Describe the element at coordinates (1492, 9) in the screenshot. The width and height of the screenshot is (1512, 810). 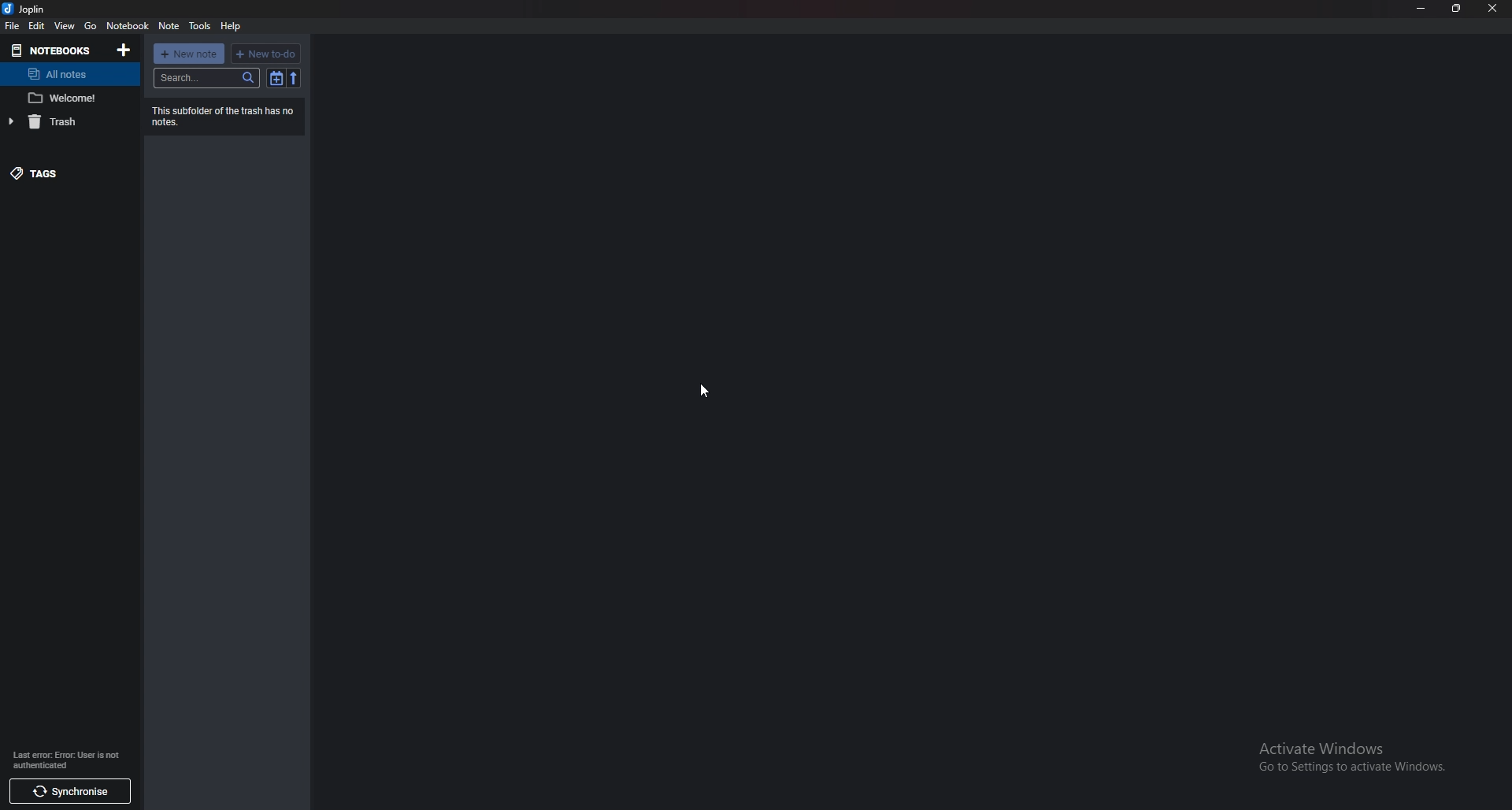
I see `close` at that location.